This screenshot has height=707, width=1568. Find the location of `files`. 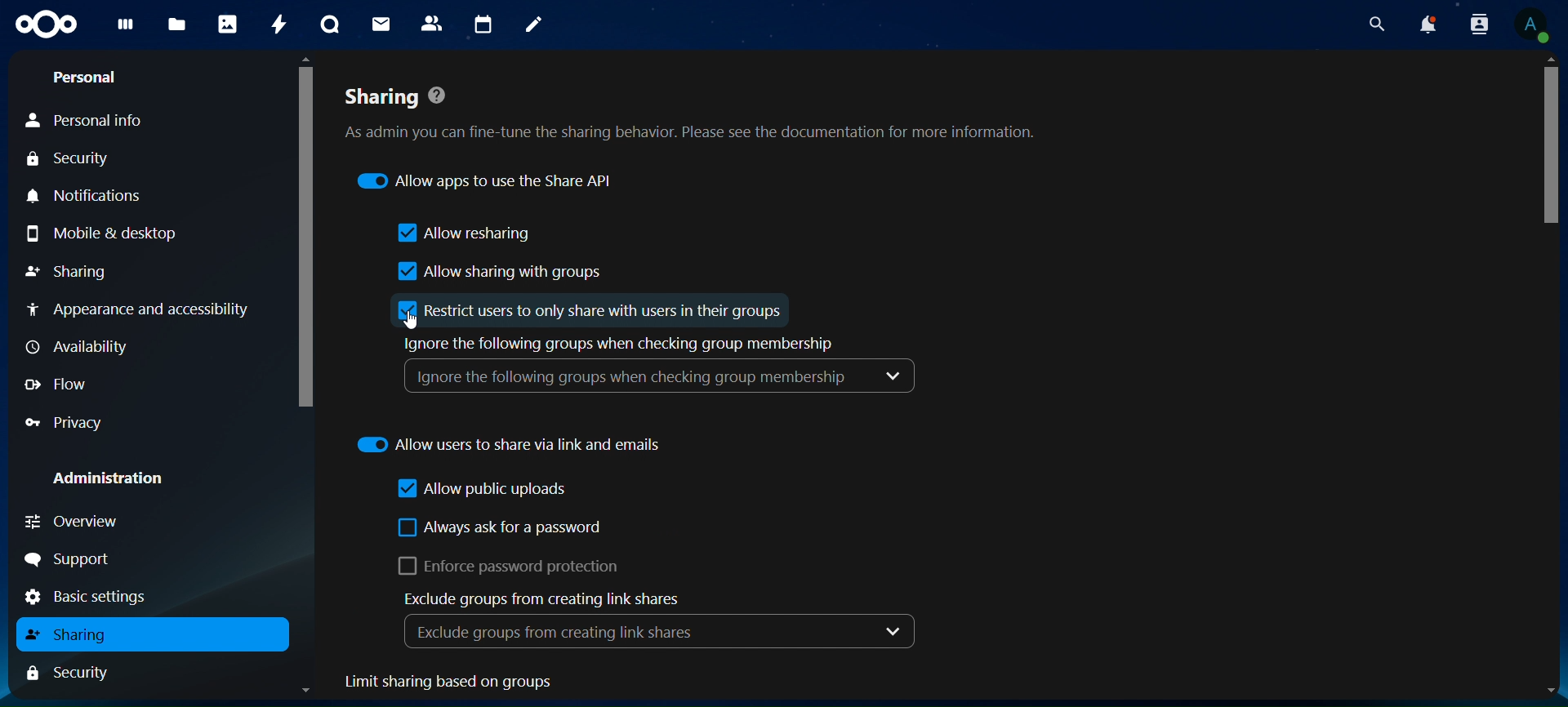

files is located at coordinates (176, 26).